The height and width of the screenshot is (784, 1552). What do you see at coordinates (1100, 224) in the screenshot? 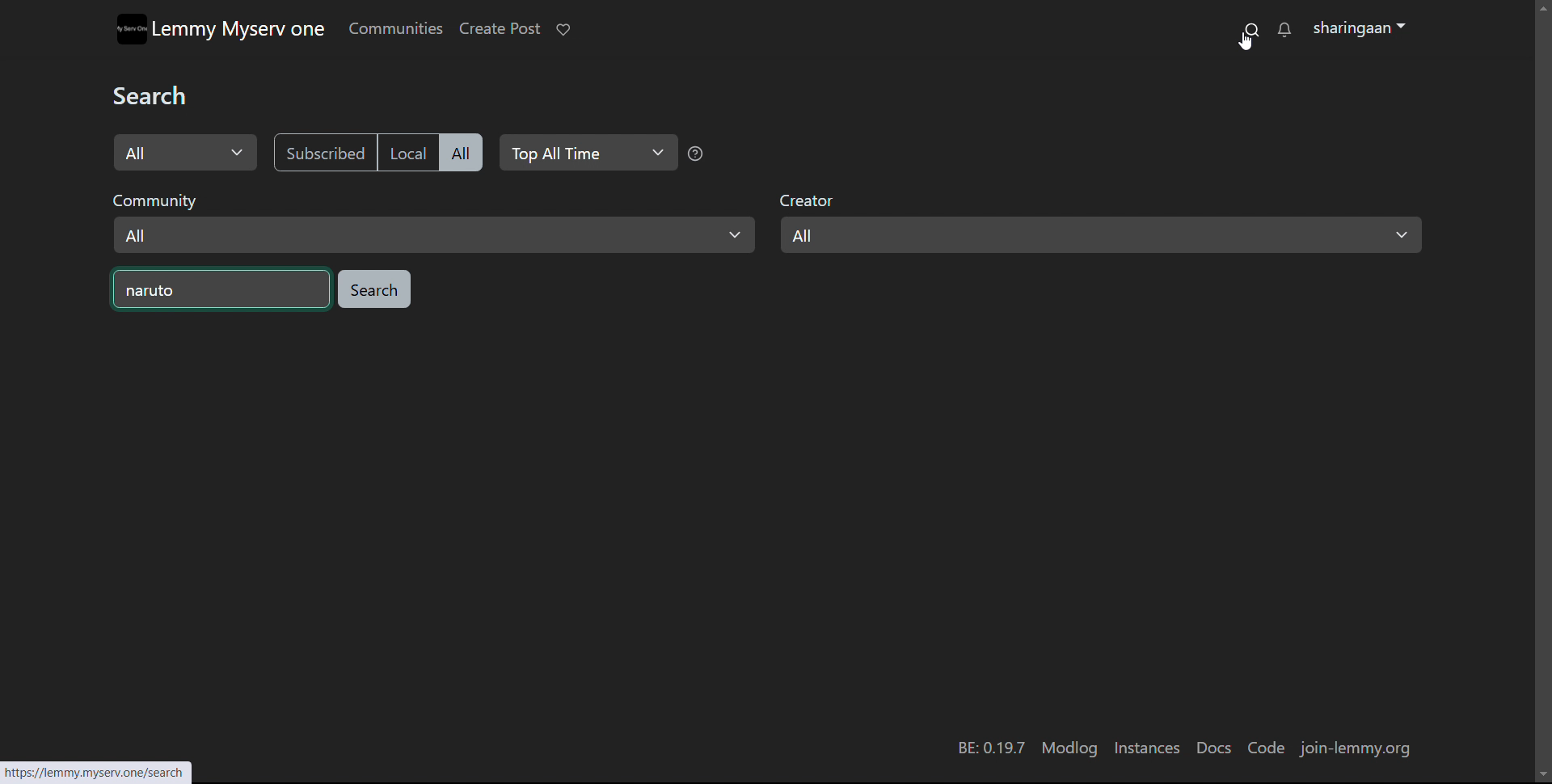
I see `select creator` at bounding box center [1100, 224].